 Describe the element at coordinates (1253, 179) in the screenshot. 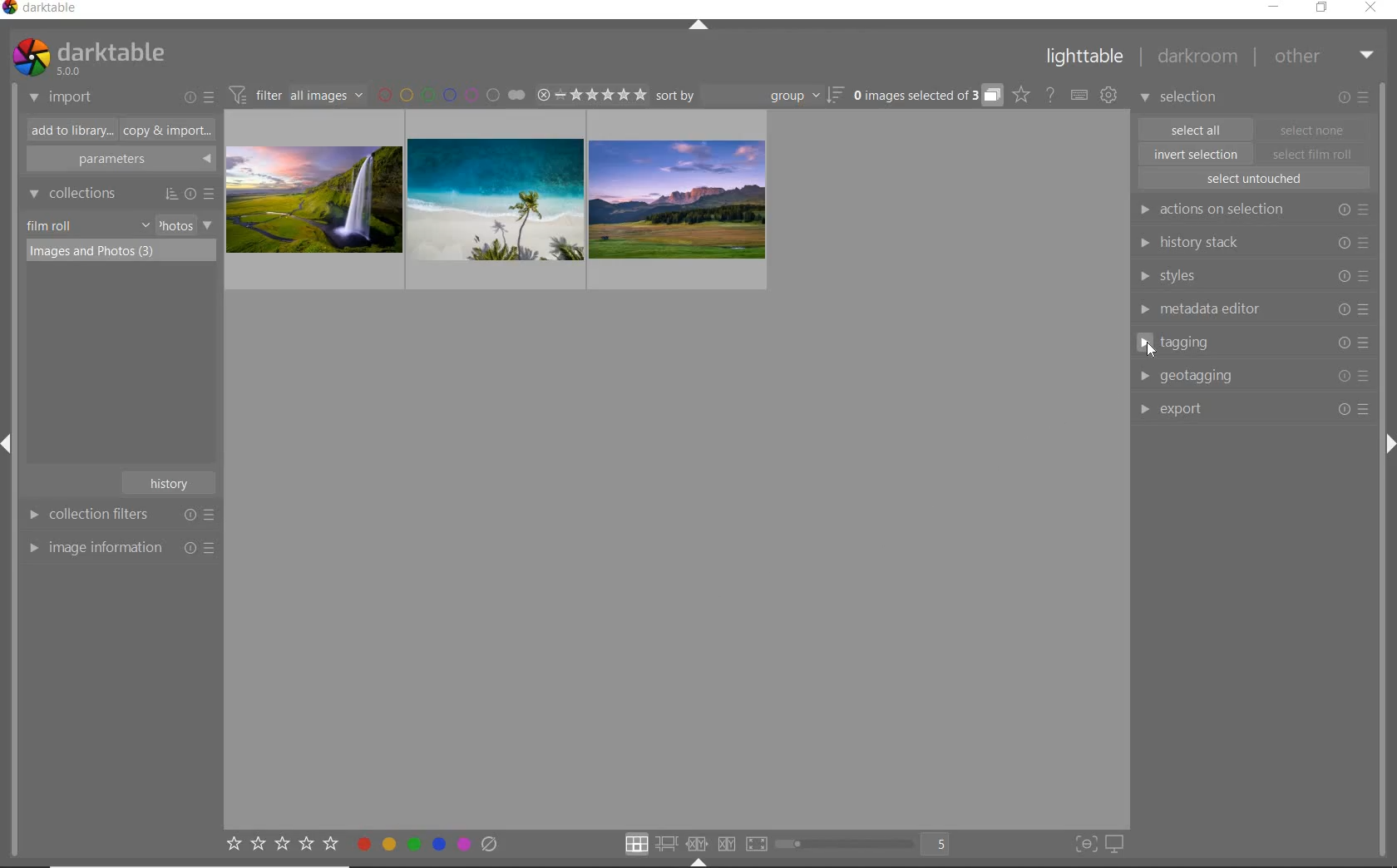

I see `select untouched` at that location.